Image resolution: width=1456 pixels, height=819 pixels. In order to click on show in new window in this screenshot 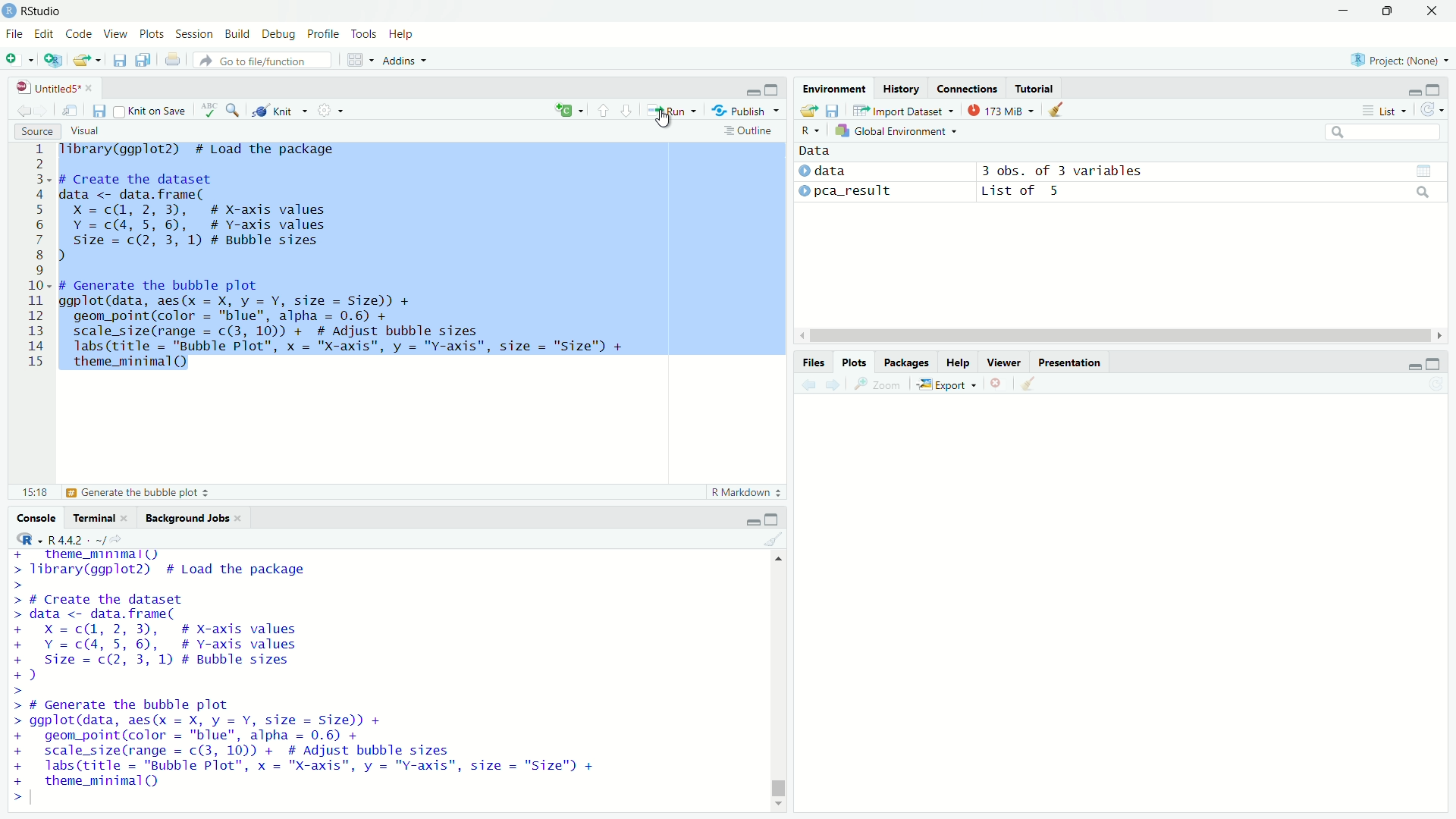, I will do `click(71, 111)`.